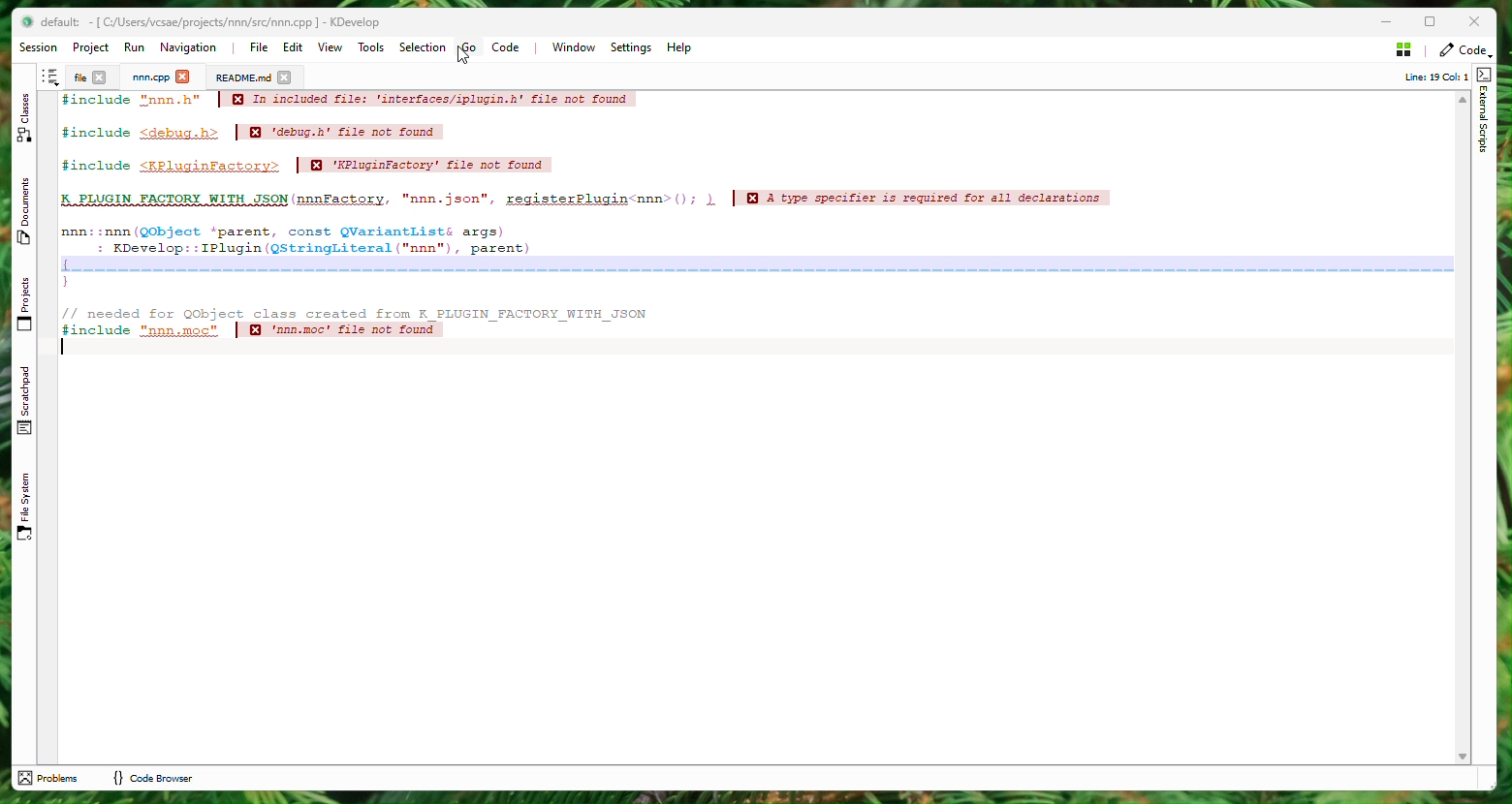 This screenshot has width=1512, height=804. Describe the element at coordinates (1436, 21) in the screenshot. I see `Box` at that location.